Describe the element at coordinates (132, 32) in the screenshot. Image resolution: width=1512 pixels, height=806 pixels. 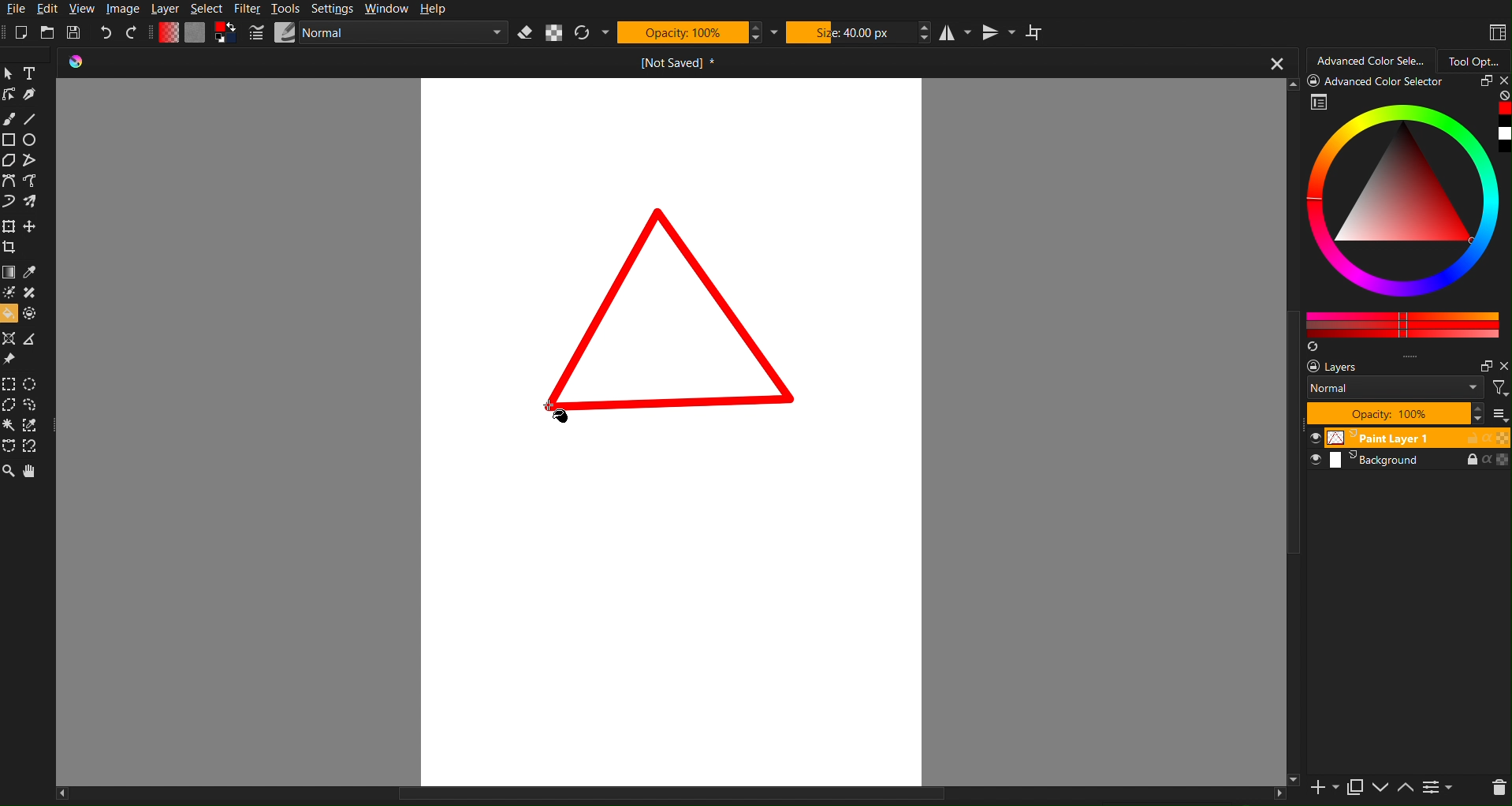
I see `Redo` at that location.